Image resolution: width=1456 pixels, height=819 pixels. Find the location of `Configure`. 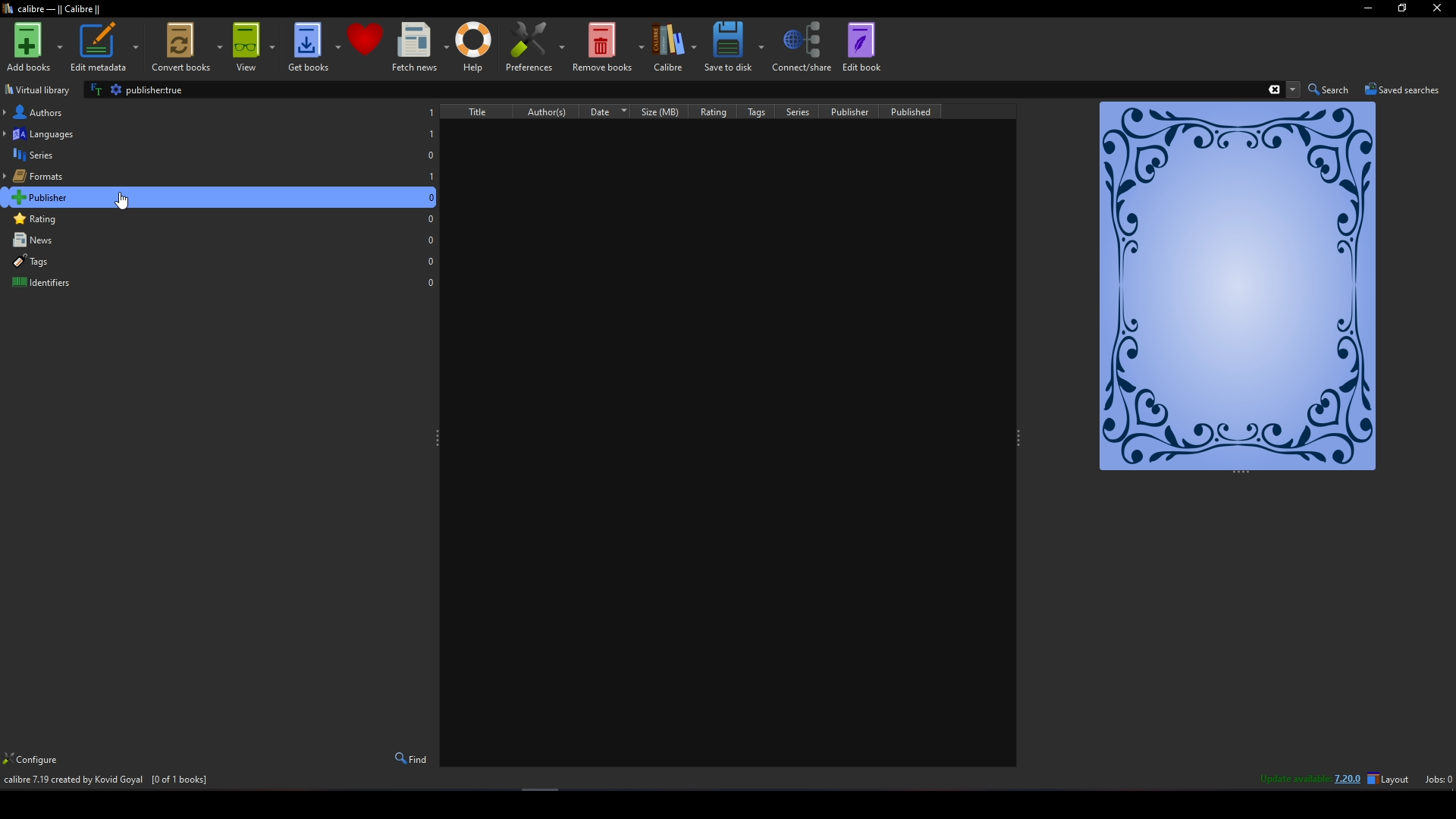

Configure is located at coordinates (36, 761).